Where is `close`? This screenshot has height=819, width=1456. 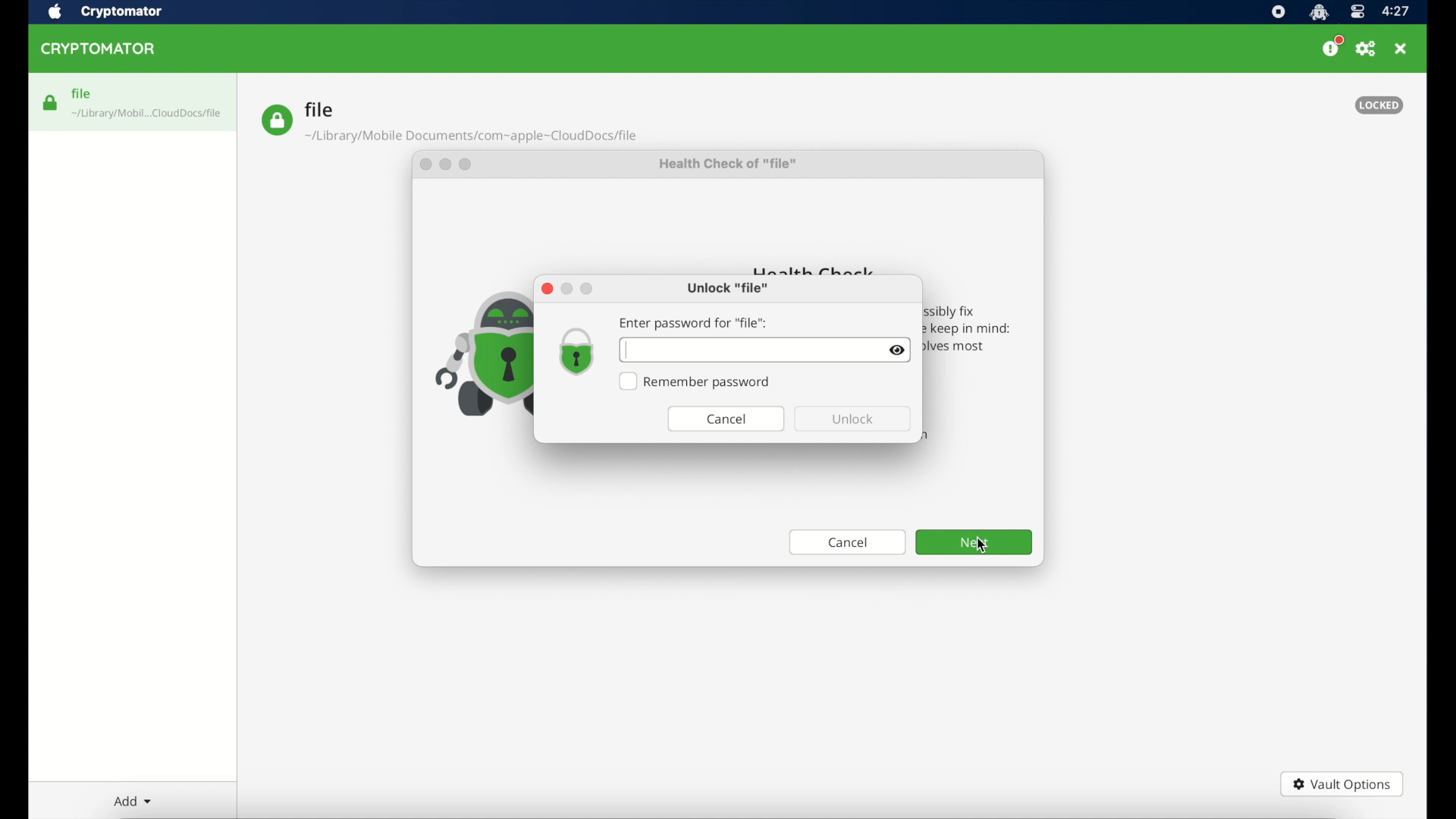 close is located at coordinates (1402, 49).